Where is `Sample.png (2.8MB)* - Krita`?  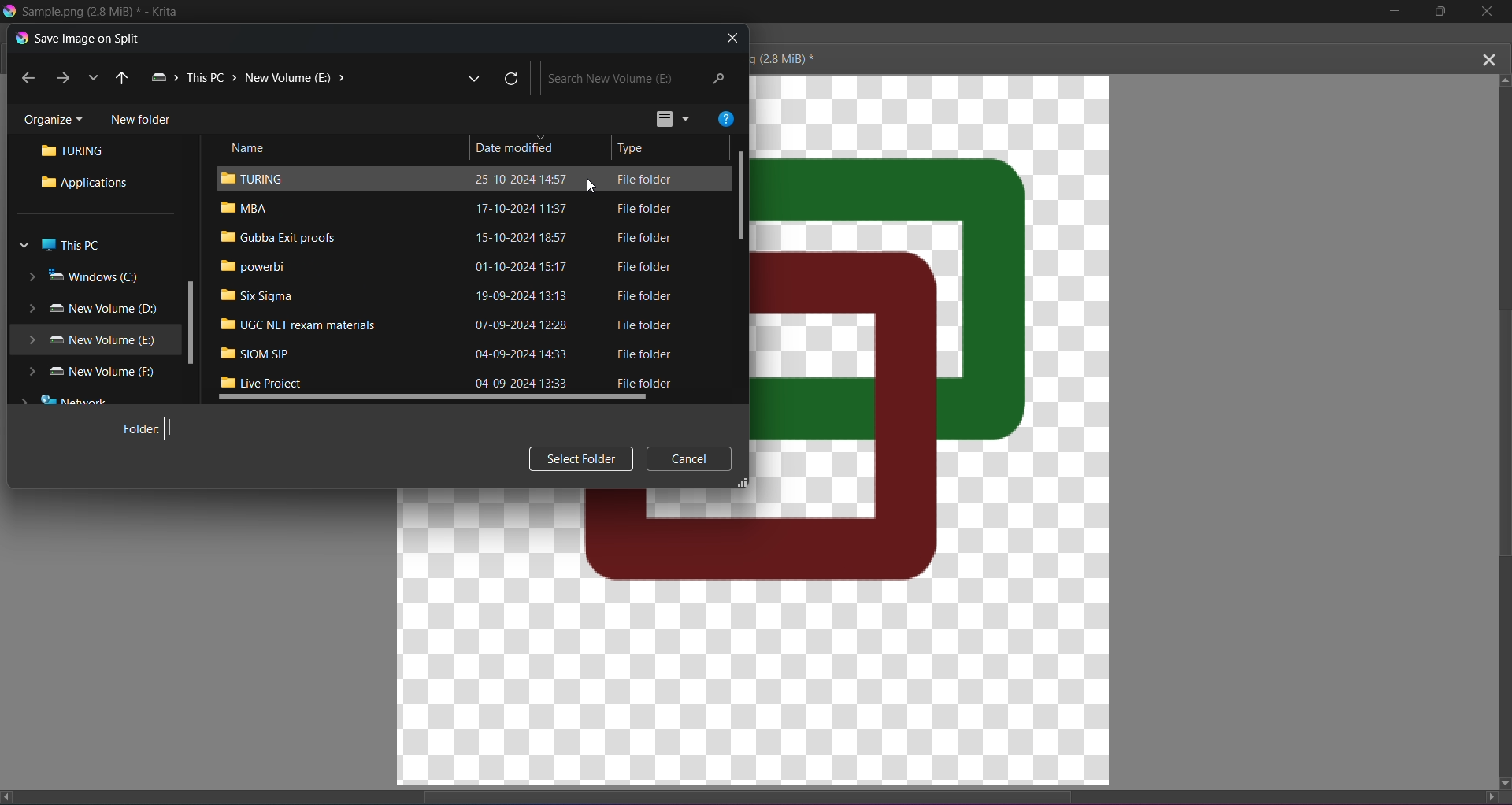 Sample.png (2.8MB)* - Krita is located at coordinates (102, 11).